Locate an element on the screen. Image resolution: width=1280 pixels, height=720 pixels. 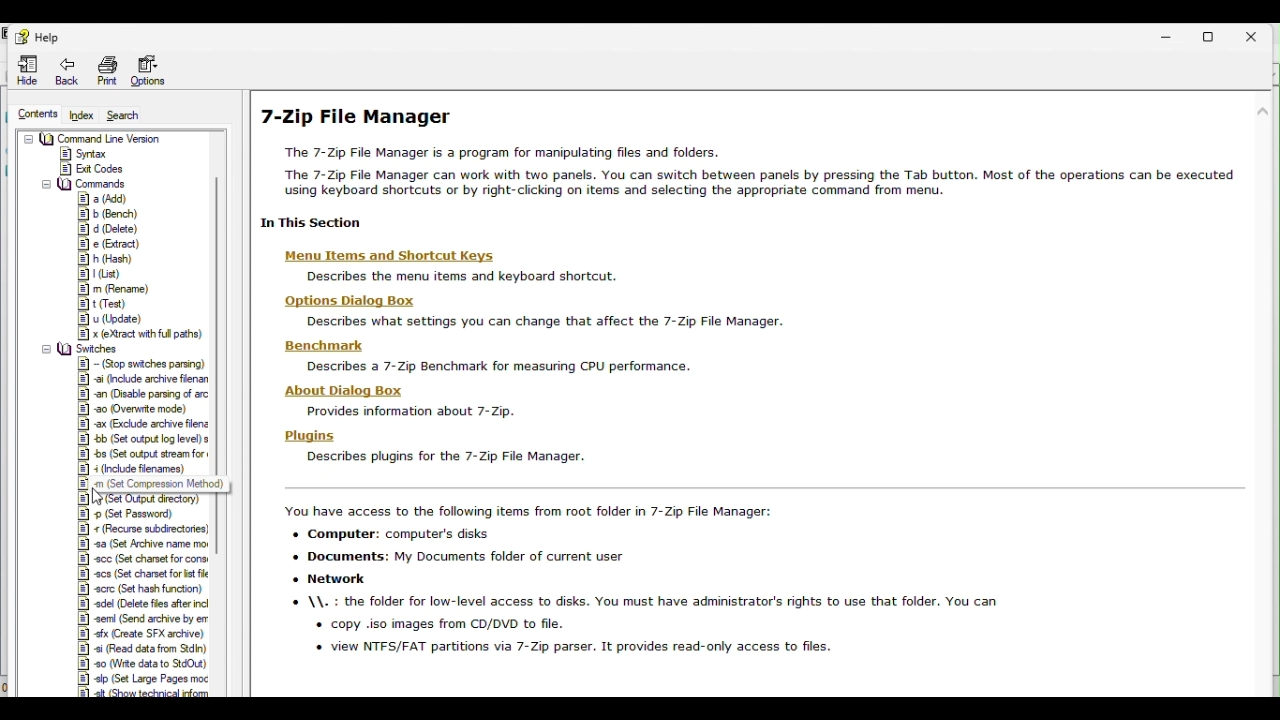
ax is located at coordinates (142, 423).